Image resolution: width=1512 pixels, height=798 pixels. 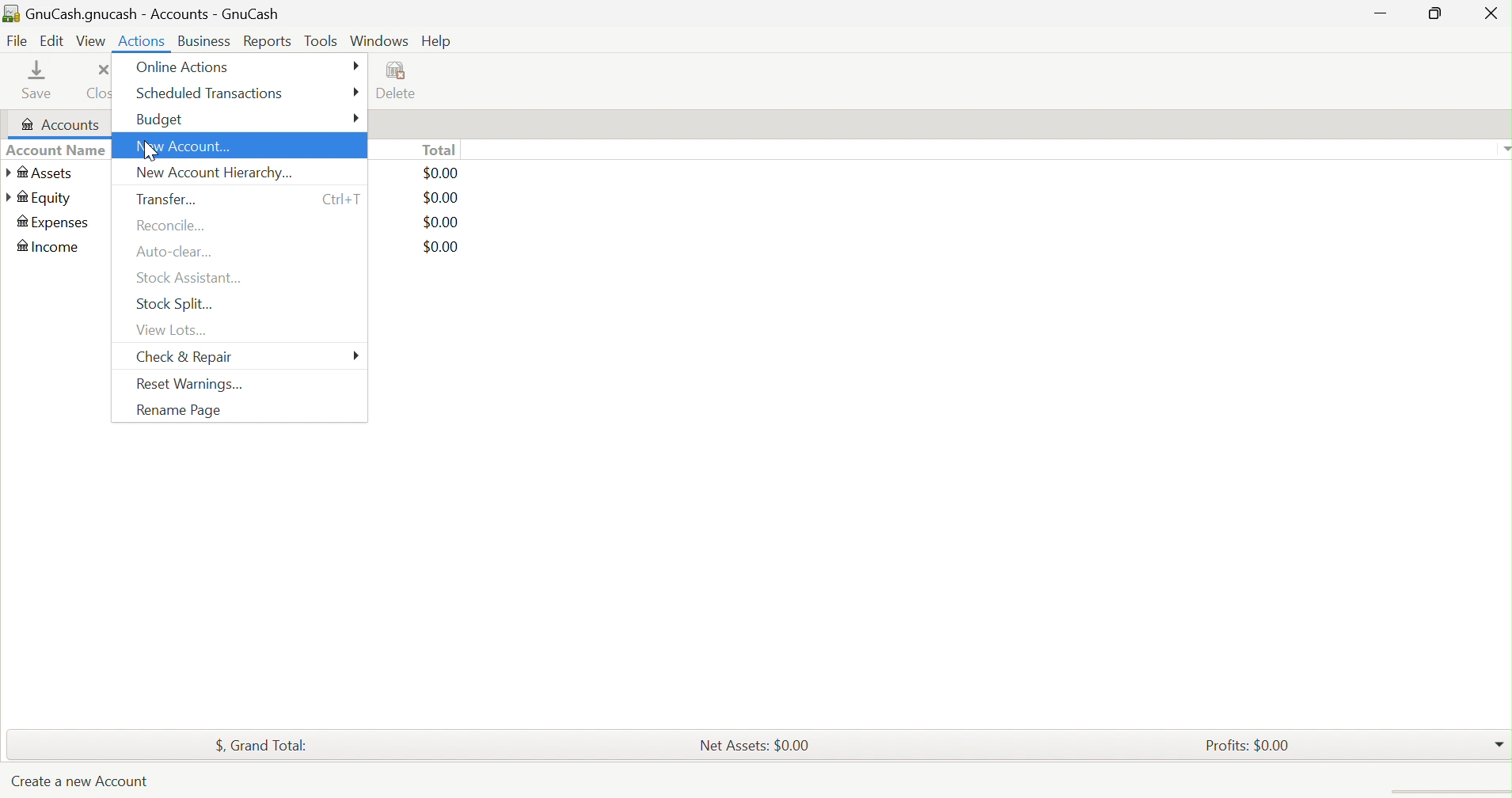 What do you see at coordinates (15, 41) in the screenshot?
I see `File` at bounding box center [15, 41].